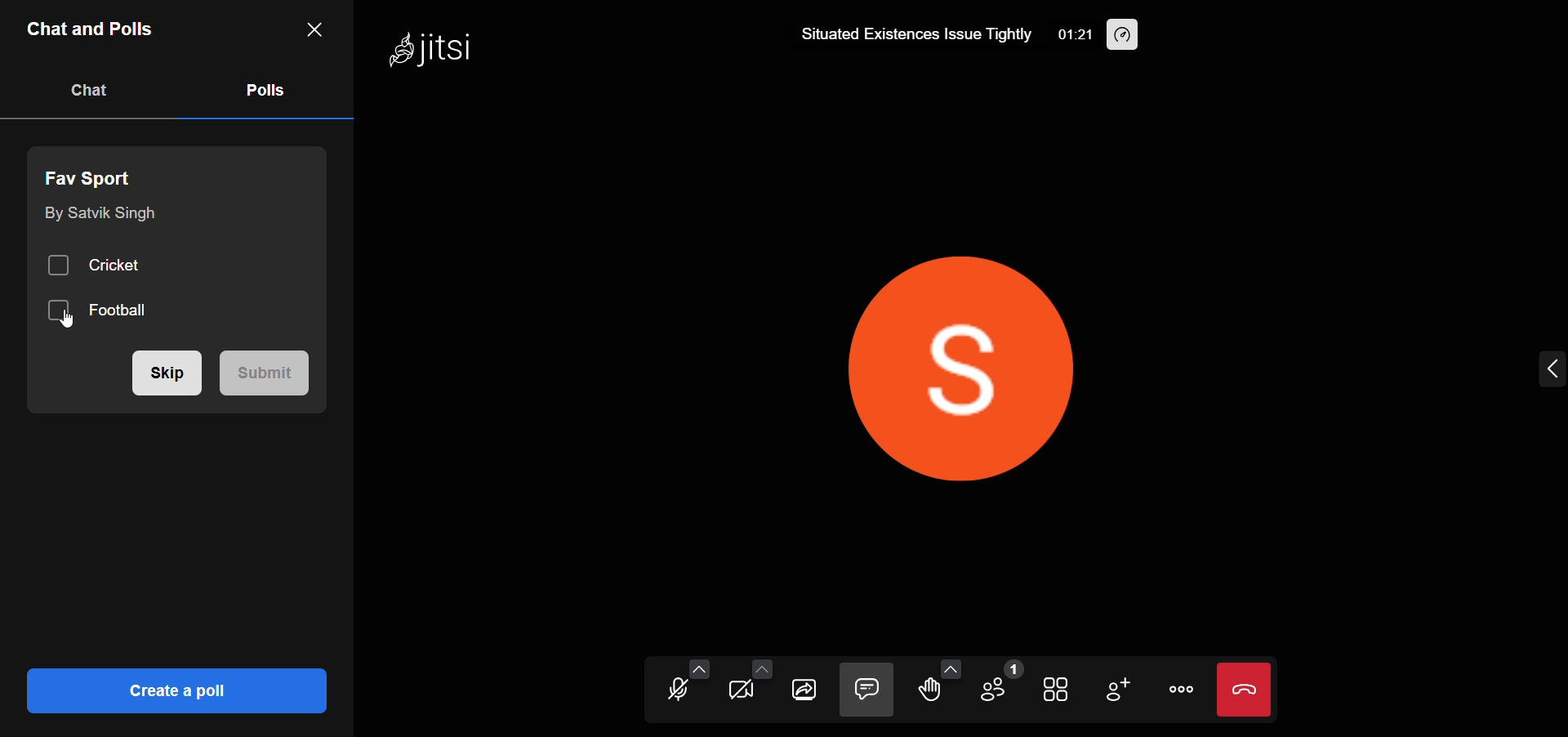 The image size is (1568, 737). What do you see at coordinates (314, 30) in the screenshot?
I see `close` at bounding box center [314, 30].